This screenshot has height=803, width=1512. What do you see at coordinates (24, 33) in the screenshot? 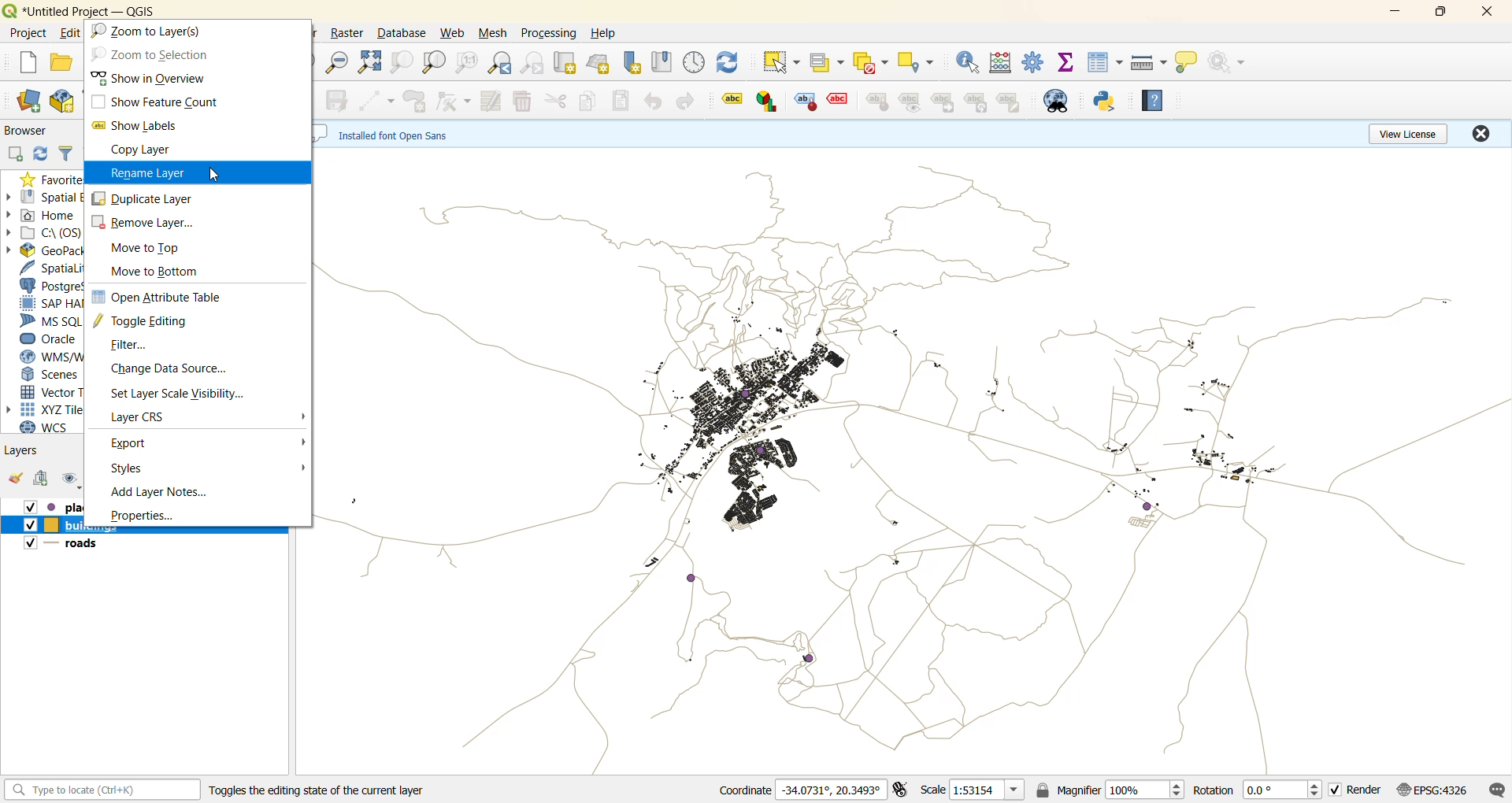
I see `project` at bounding box center [24, 33].